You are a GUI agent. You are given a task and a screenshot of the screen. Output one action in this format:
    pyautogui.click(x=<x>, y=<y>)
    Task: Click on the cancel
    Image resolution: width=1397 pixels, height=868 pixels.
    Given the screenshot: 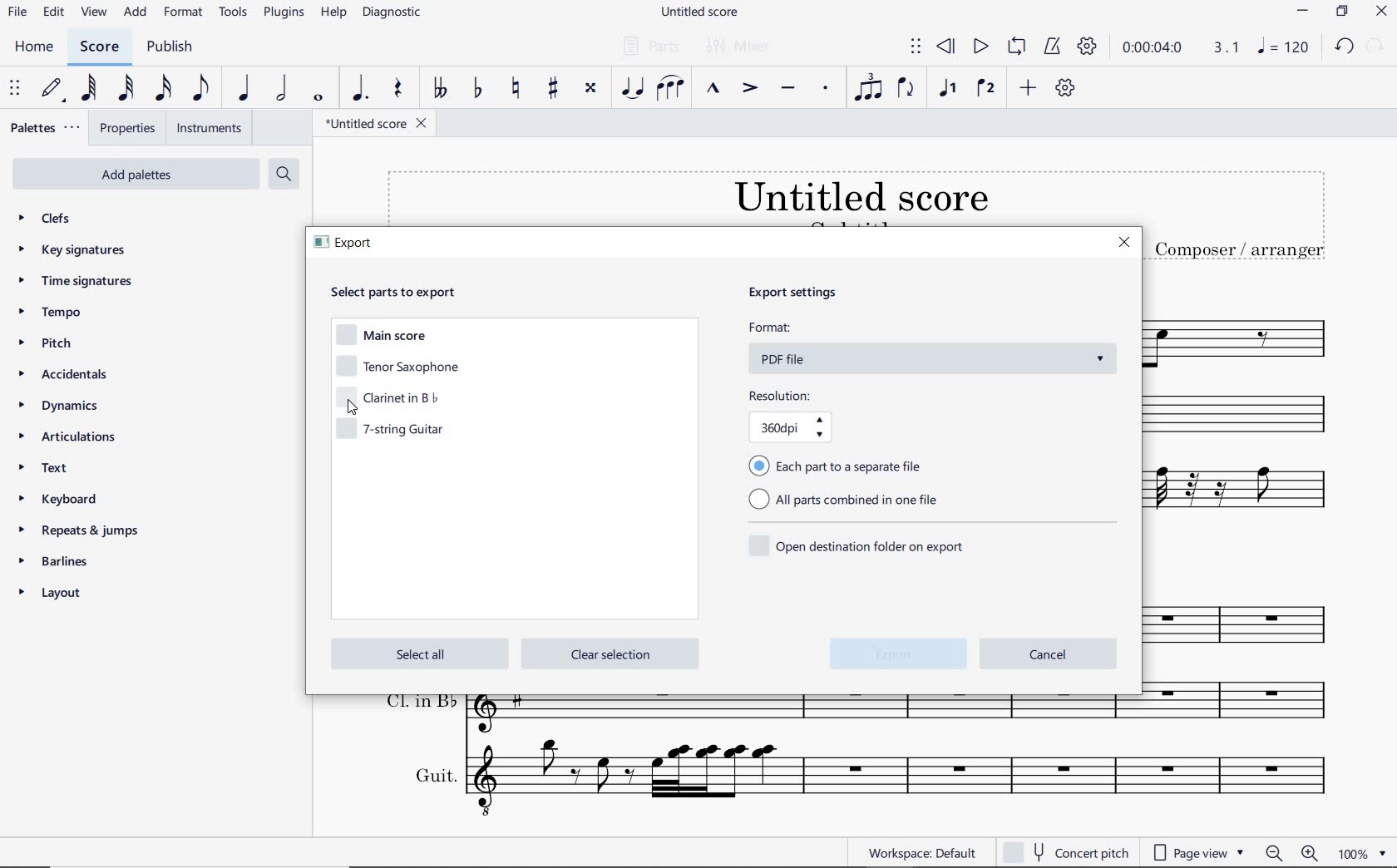 What is the action you would take?
    pyautogui.click(x=1049, y=652)
    